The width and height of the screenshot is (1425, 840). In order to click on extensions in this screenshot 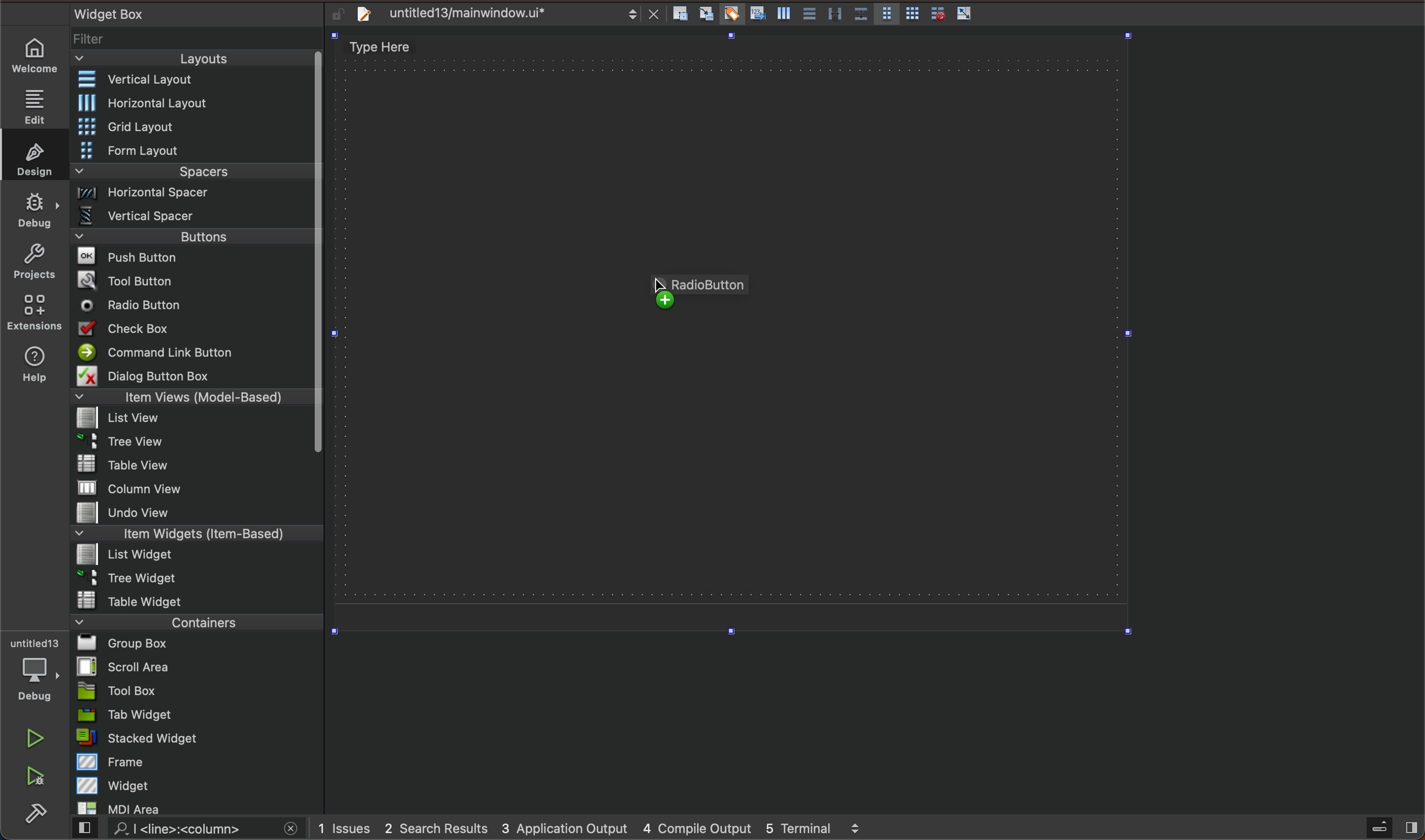, I will do `click(33, 312)`.